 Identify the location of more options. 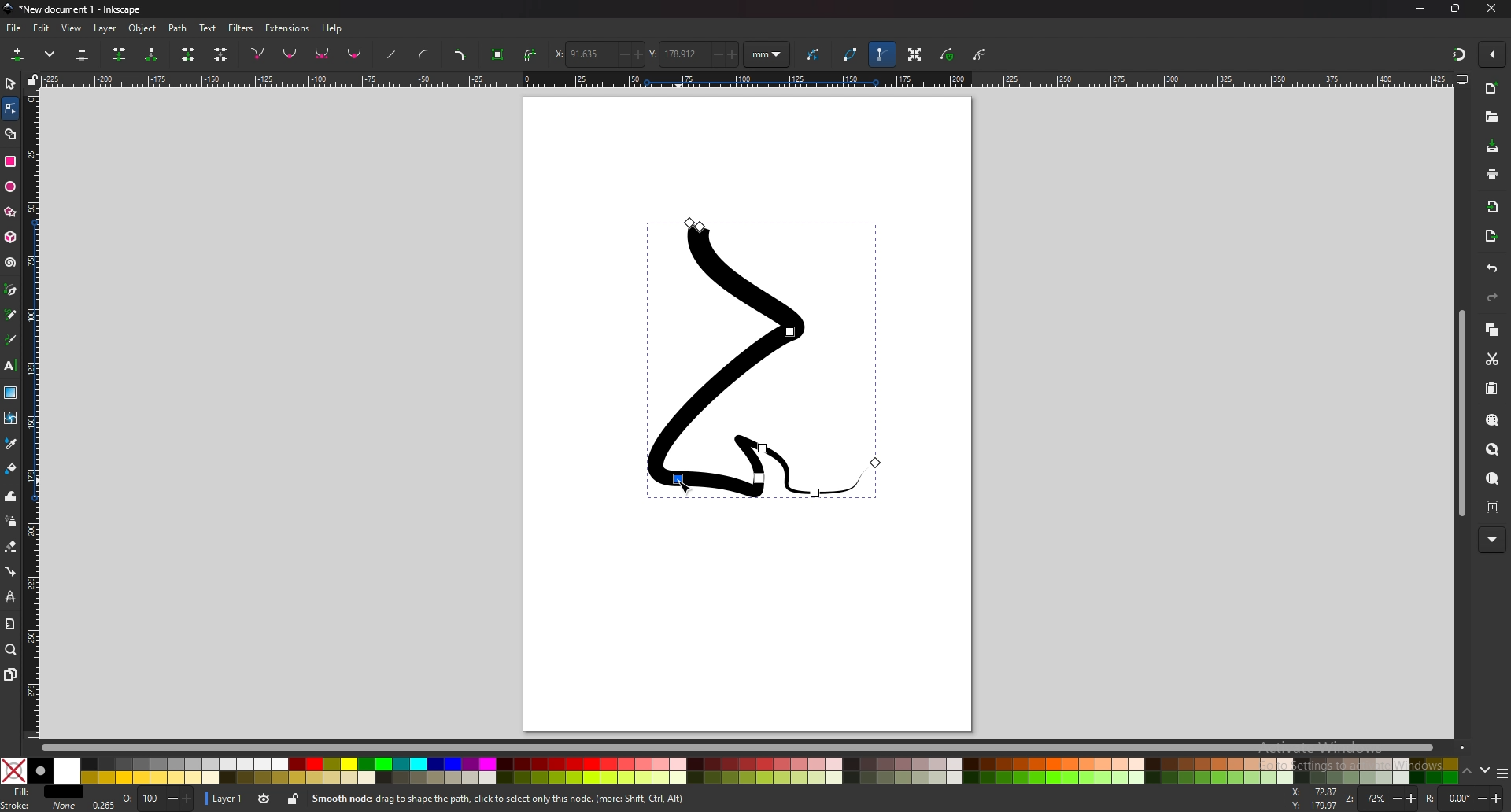
(50, 54).